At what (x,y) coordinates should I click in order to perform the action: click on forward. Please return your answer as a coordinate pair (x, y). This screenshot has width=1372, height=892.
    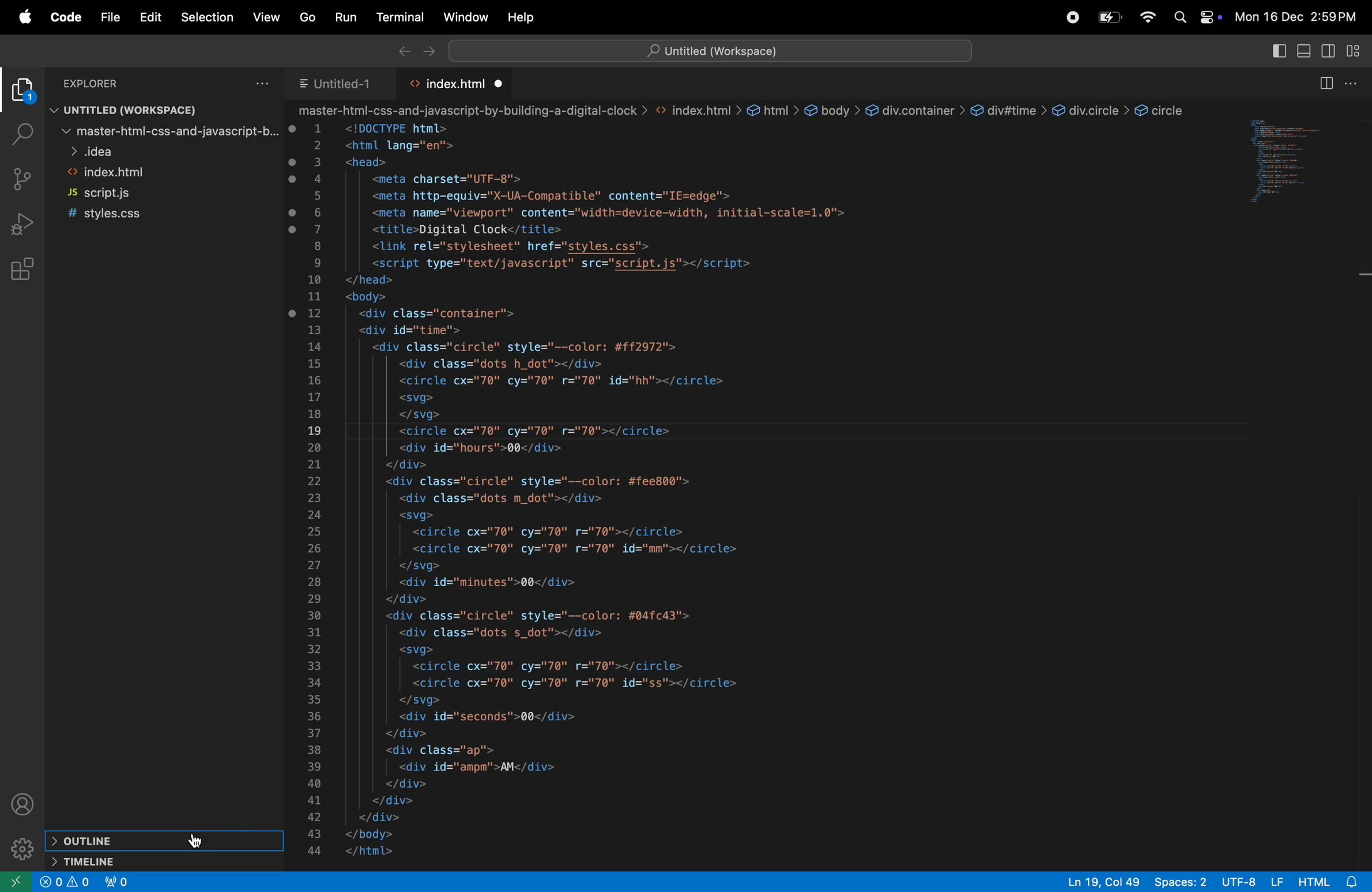
    Looking at the image, I should click on (427, 50).